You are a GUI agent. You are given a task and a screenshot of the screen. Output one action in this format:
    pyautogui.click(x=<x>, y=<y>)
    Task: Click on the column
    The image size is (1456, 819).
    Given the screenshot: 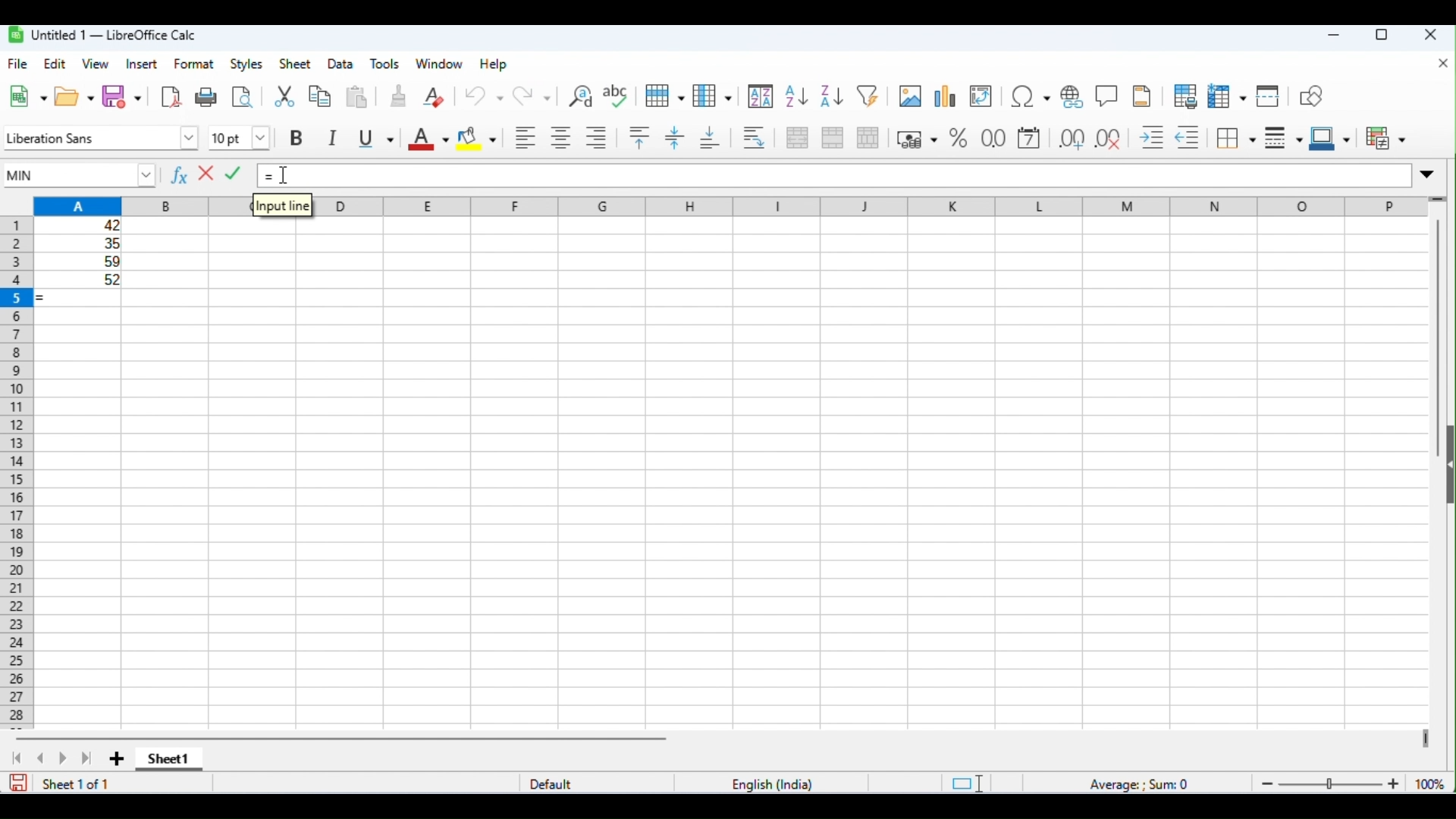 What is the action you would take?
    pyautogui.click(x=711, y=96)
    